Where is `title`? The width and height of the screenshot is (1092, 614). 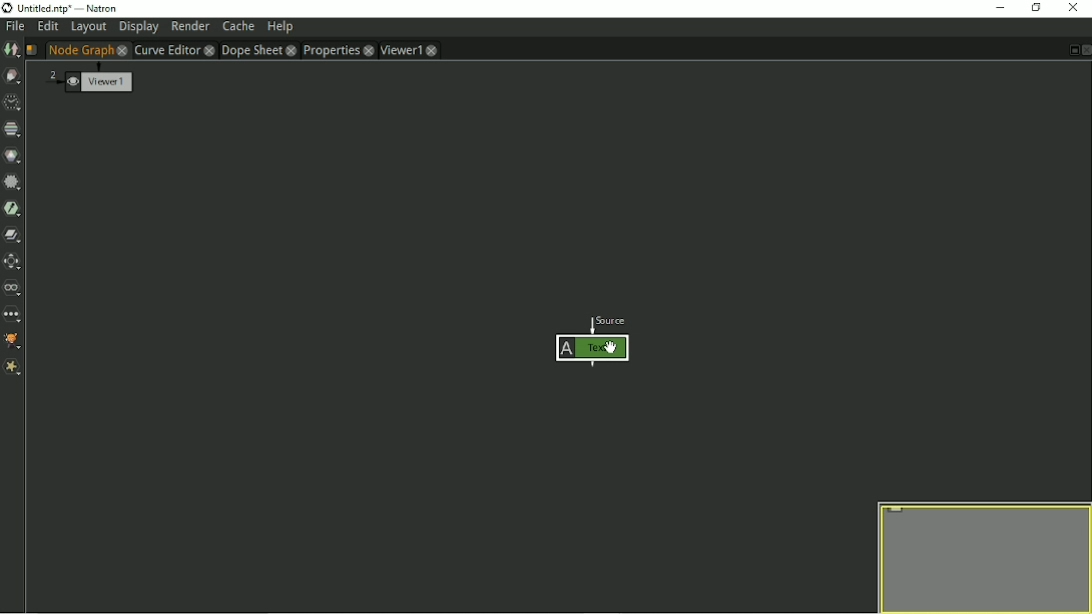
title is located at coordinates (69, 10).